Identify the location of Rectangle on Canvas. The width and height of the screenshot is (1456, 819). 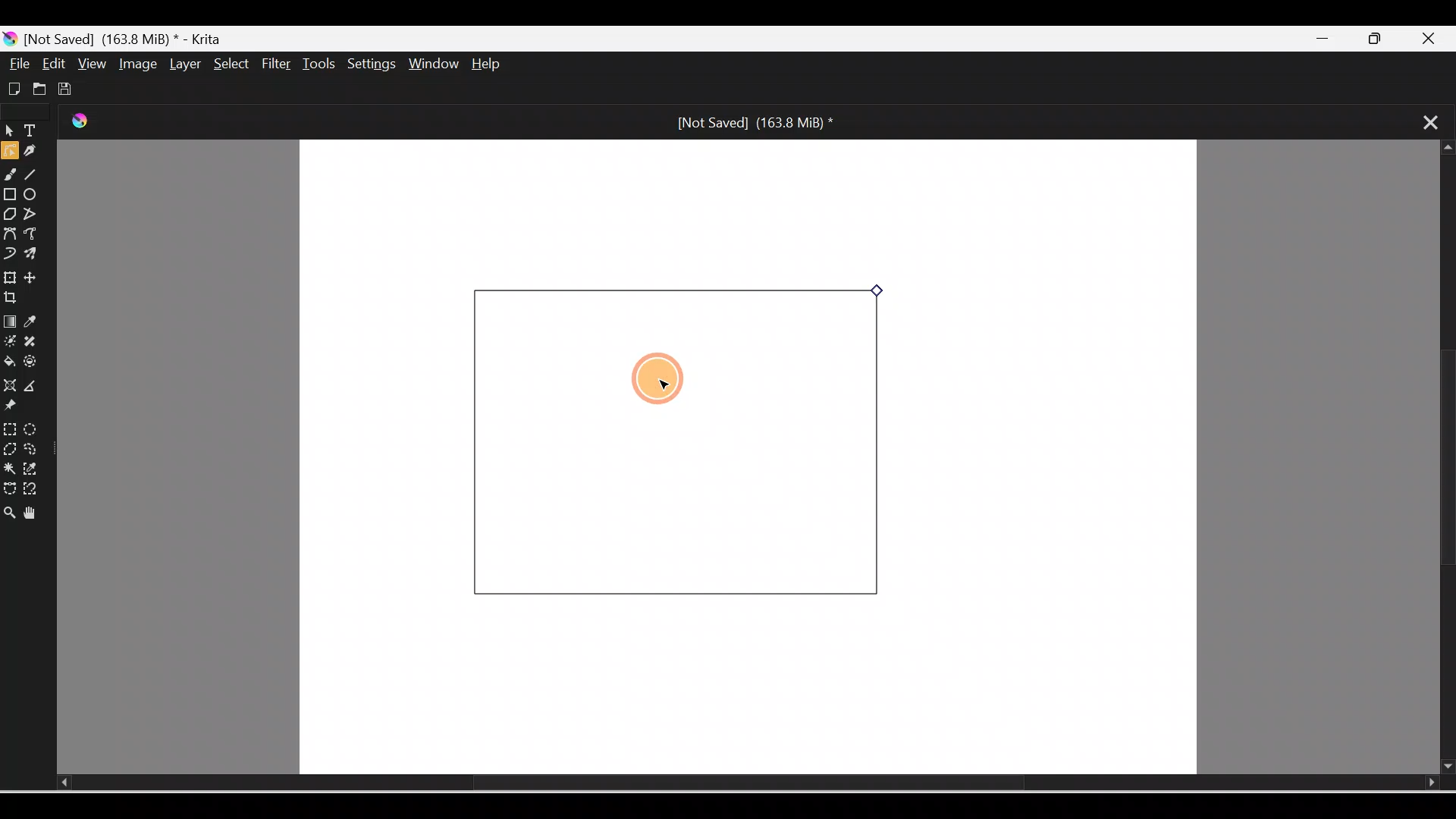
(679, 439).